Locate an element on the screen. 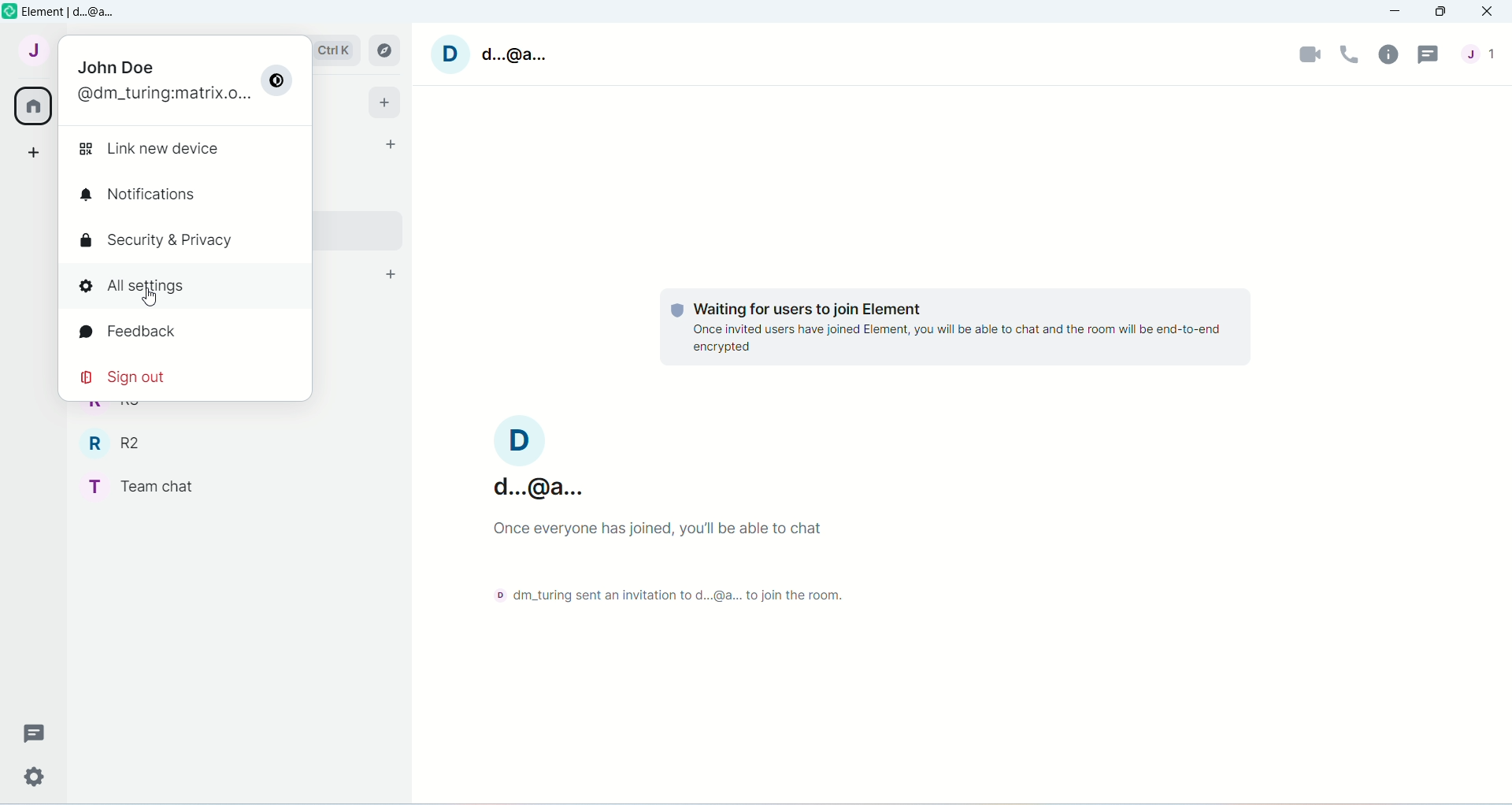  Room info is located at coordinates (1391, 57).